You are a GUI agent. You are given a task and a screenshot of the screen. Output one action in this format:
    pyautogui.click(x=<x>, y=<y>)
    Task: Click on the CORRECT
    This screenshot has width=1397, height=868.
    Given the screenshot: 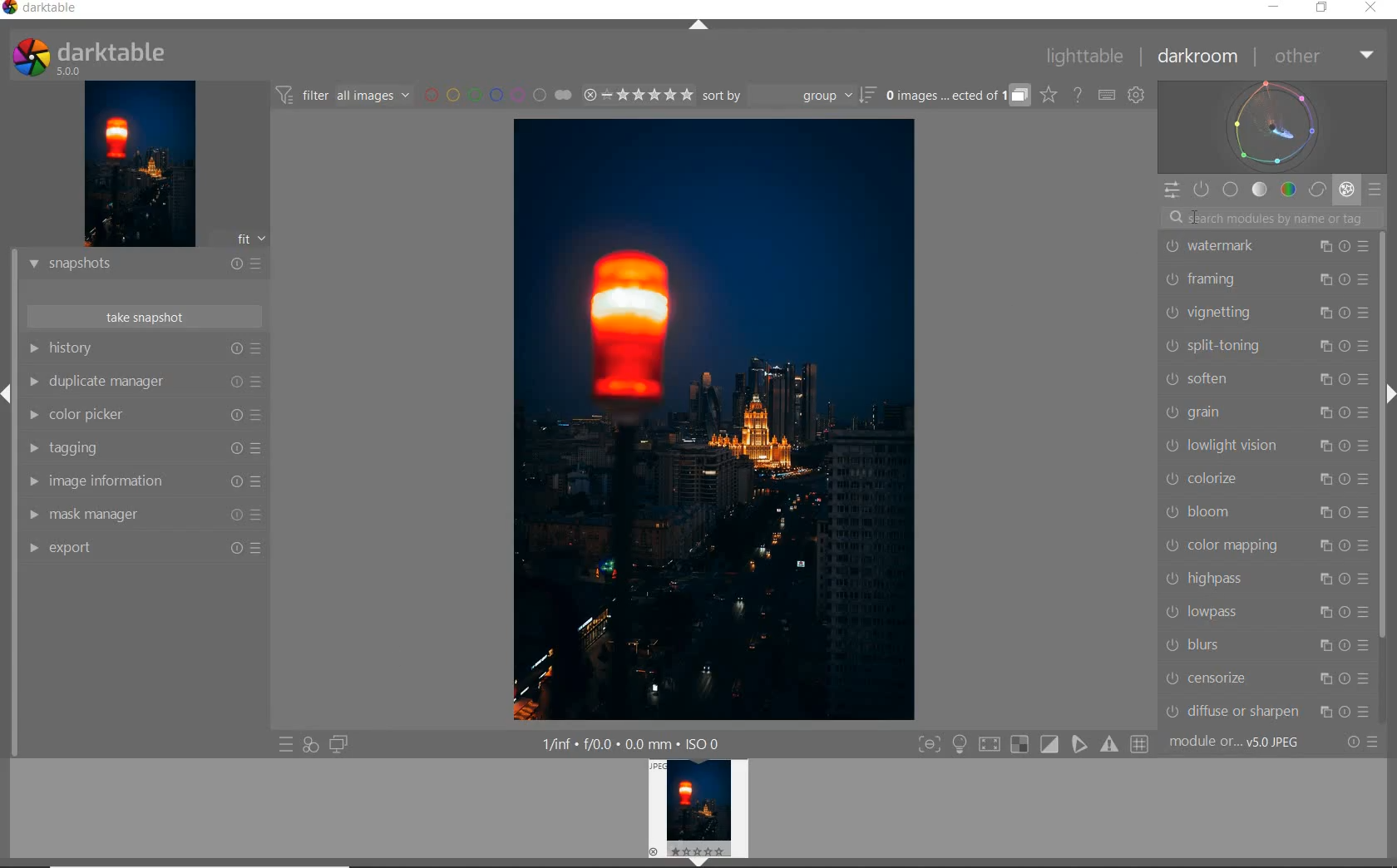 What is the action you would take?
    pyautogui.click(x=1317, y=190)
    